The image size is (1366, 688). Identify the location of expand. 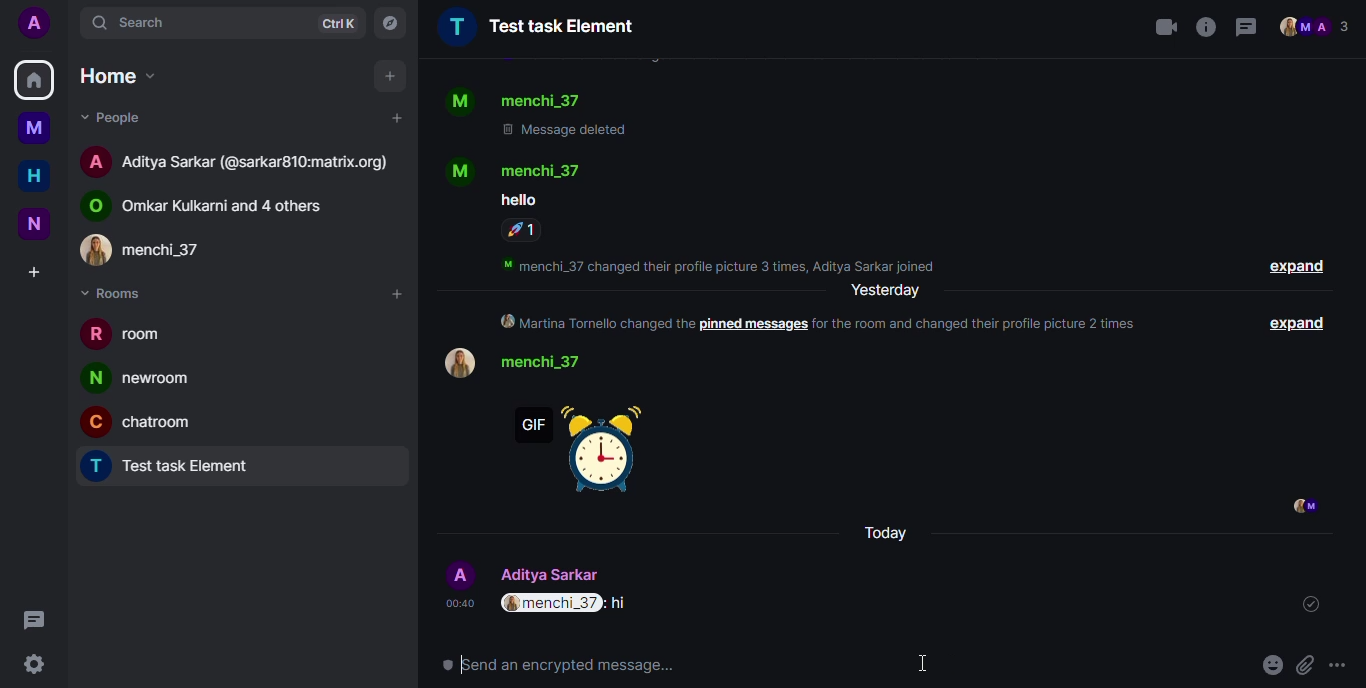
(1299, 323).